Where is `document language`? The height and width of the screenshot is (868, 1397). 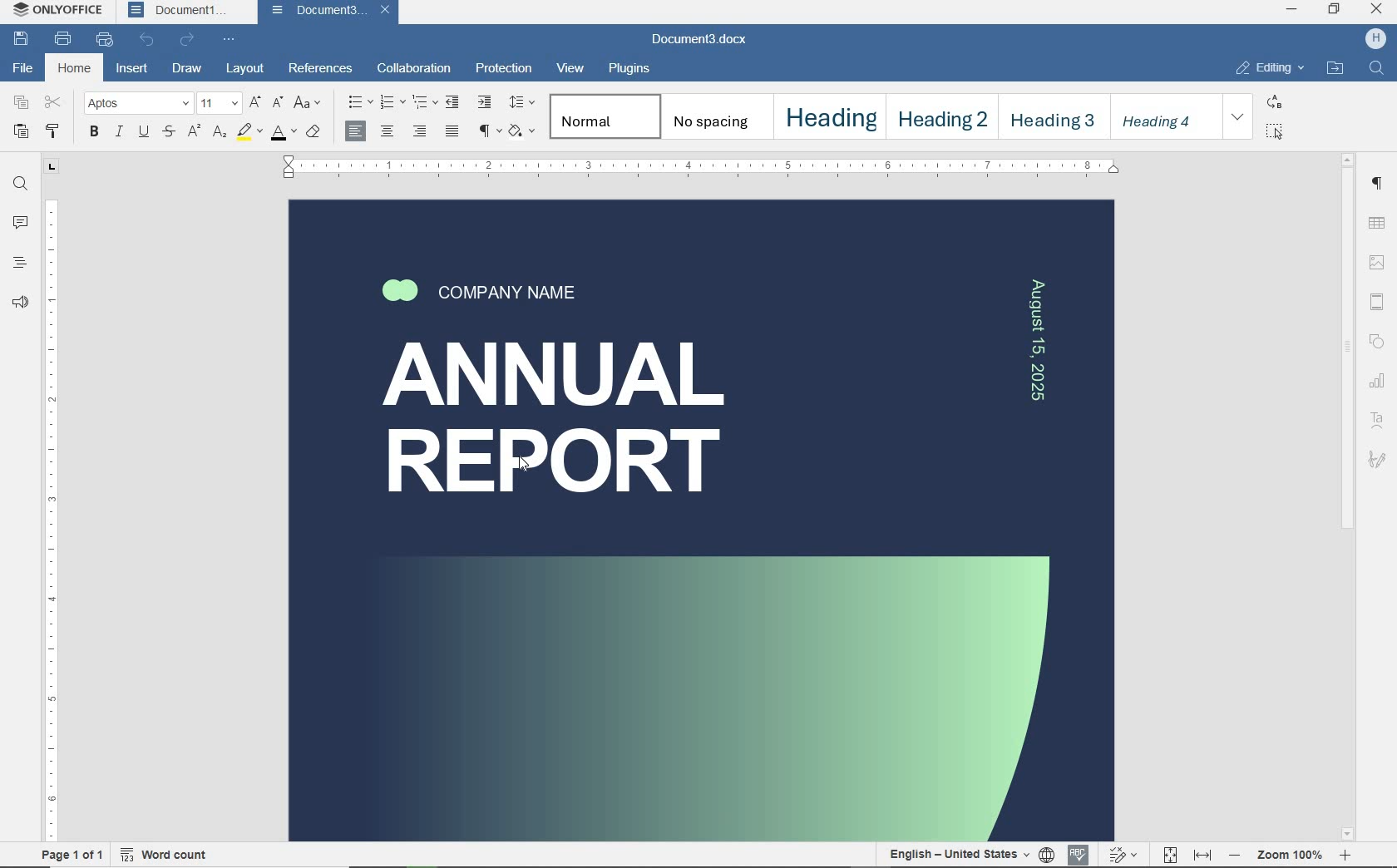
document language is located at coordinates (1047, 854).